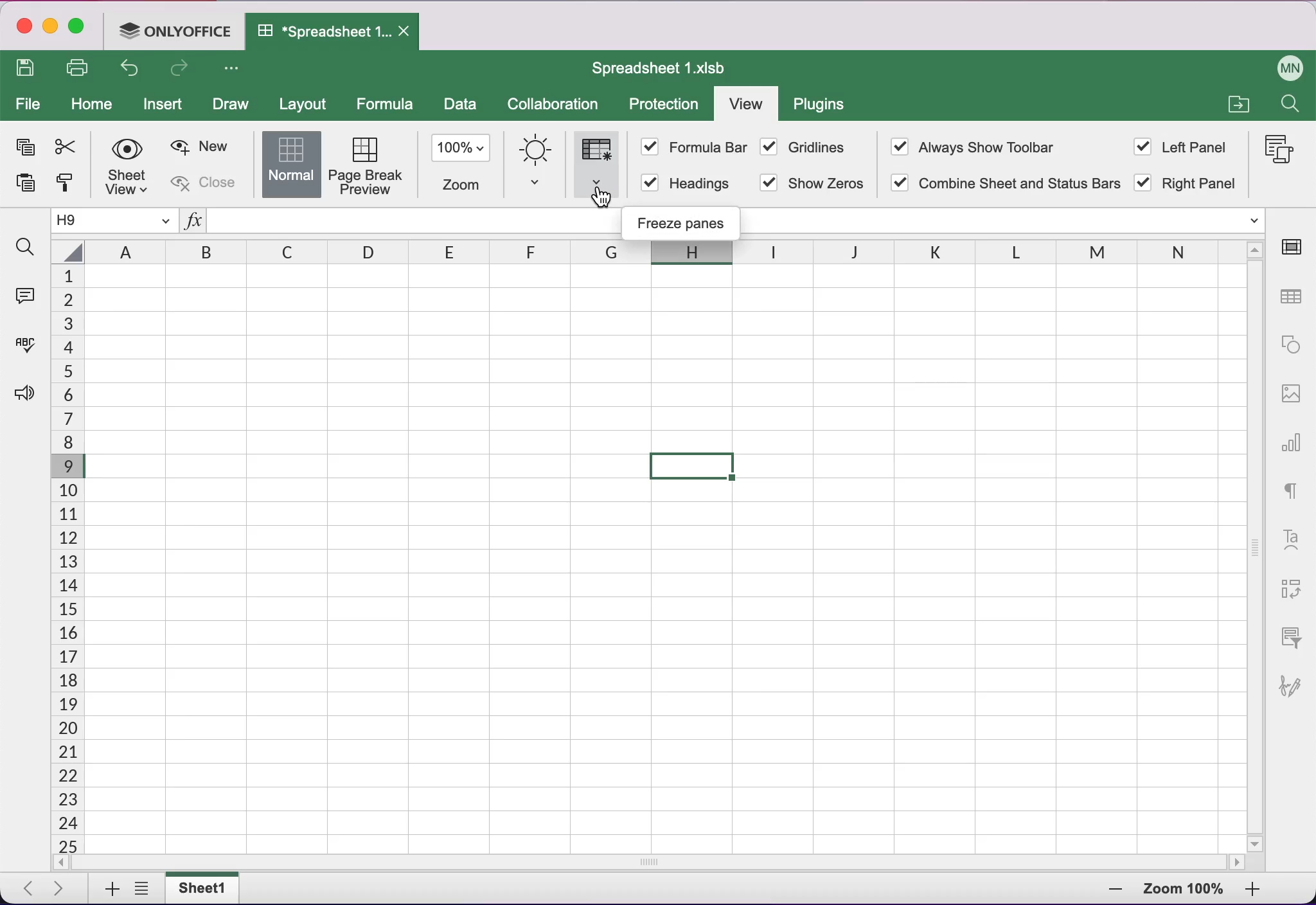  What do you see at coordinates (1292, 105) in the screenshot?
I see `find` at bounding box center [1292, 105].